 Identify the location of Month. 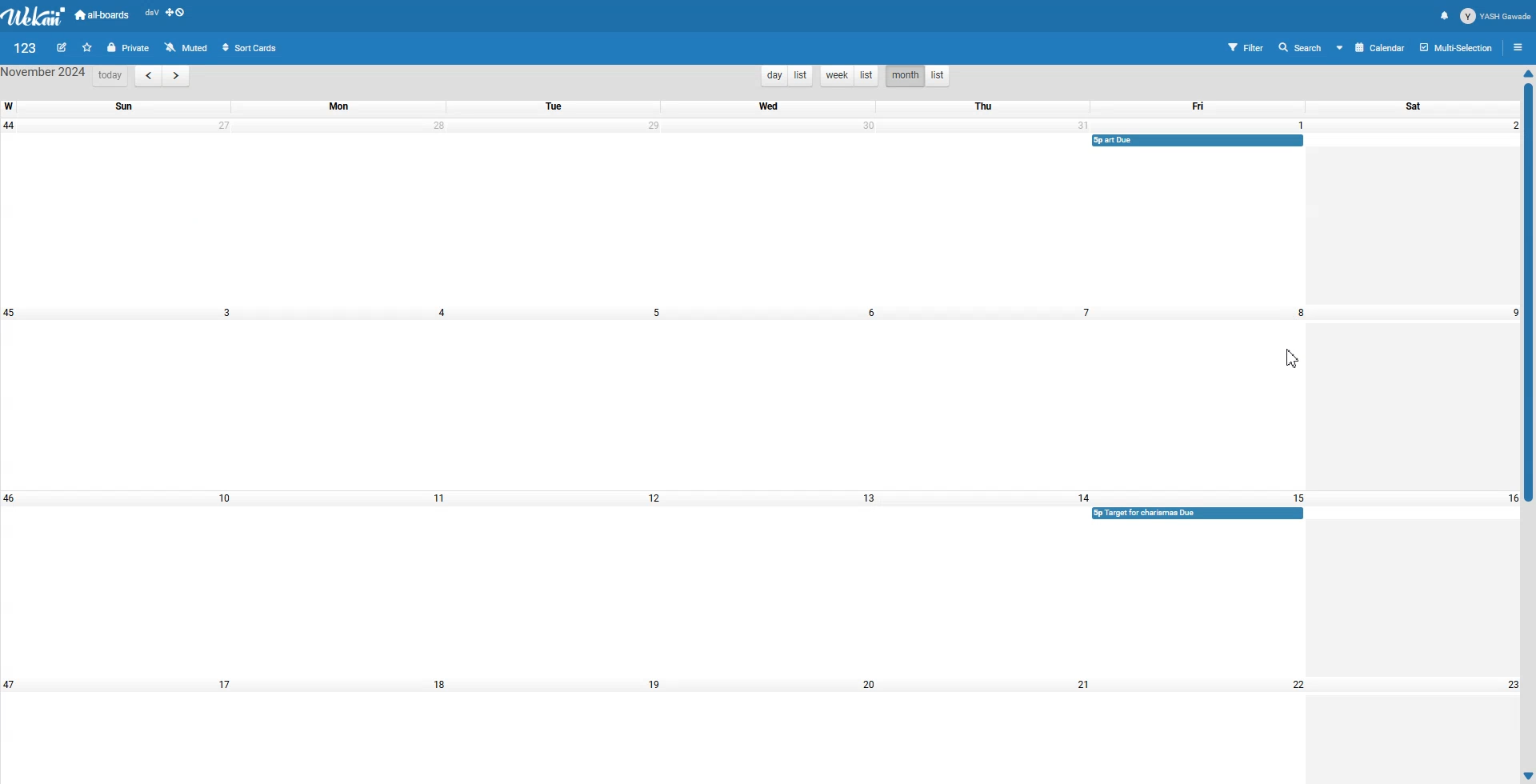
(904, 77).